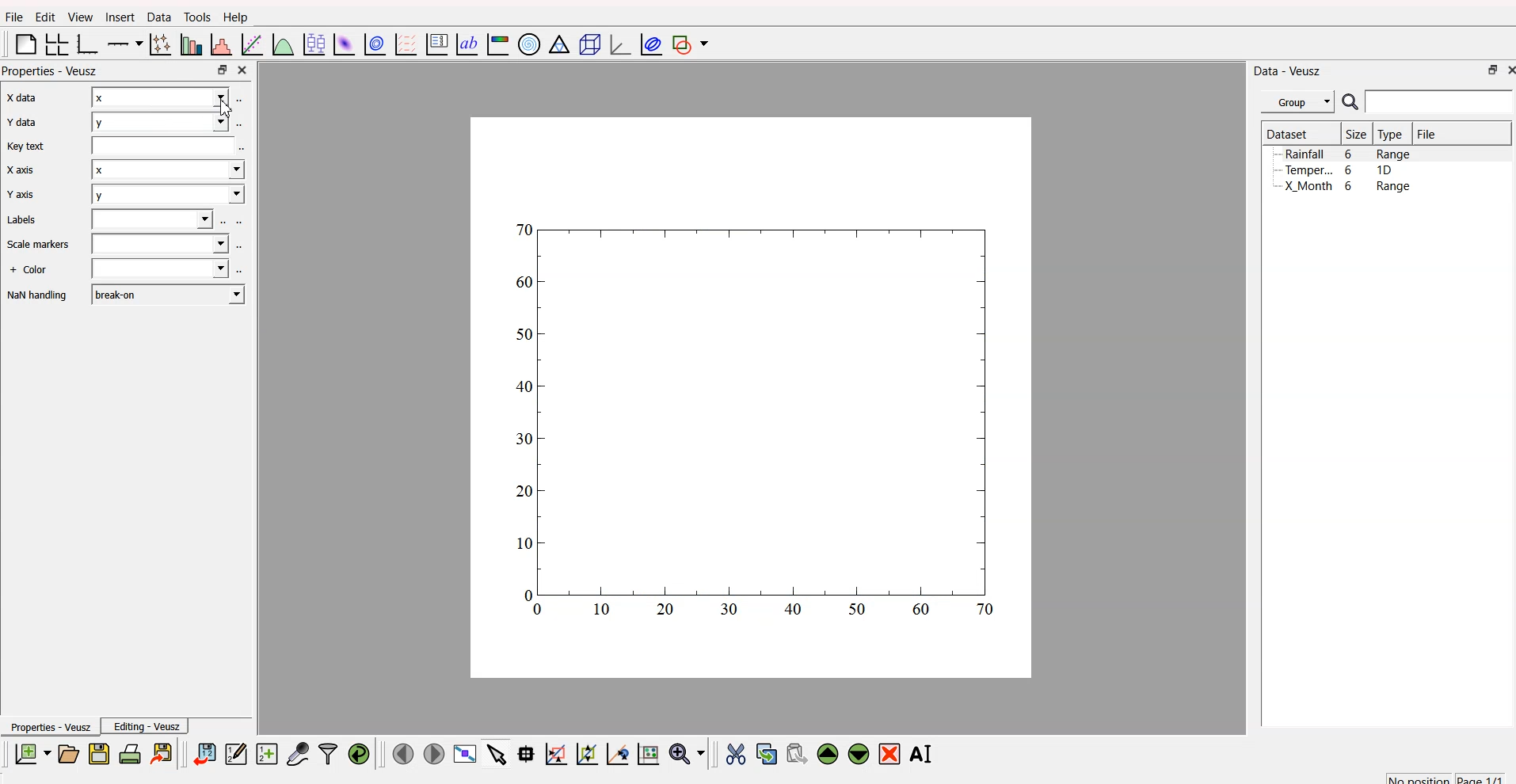 Image resolution: width=1516 pixels, height=784 pixels. I want to click on Y axis, so click(20, 196).